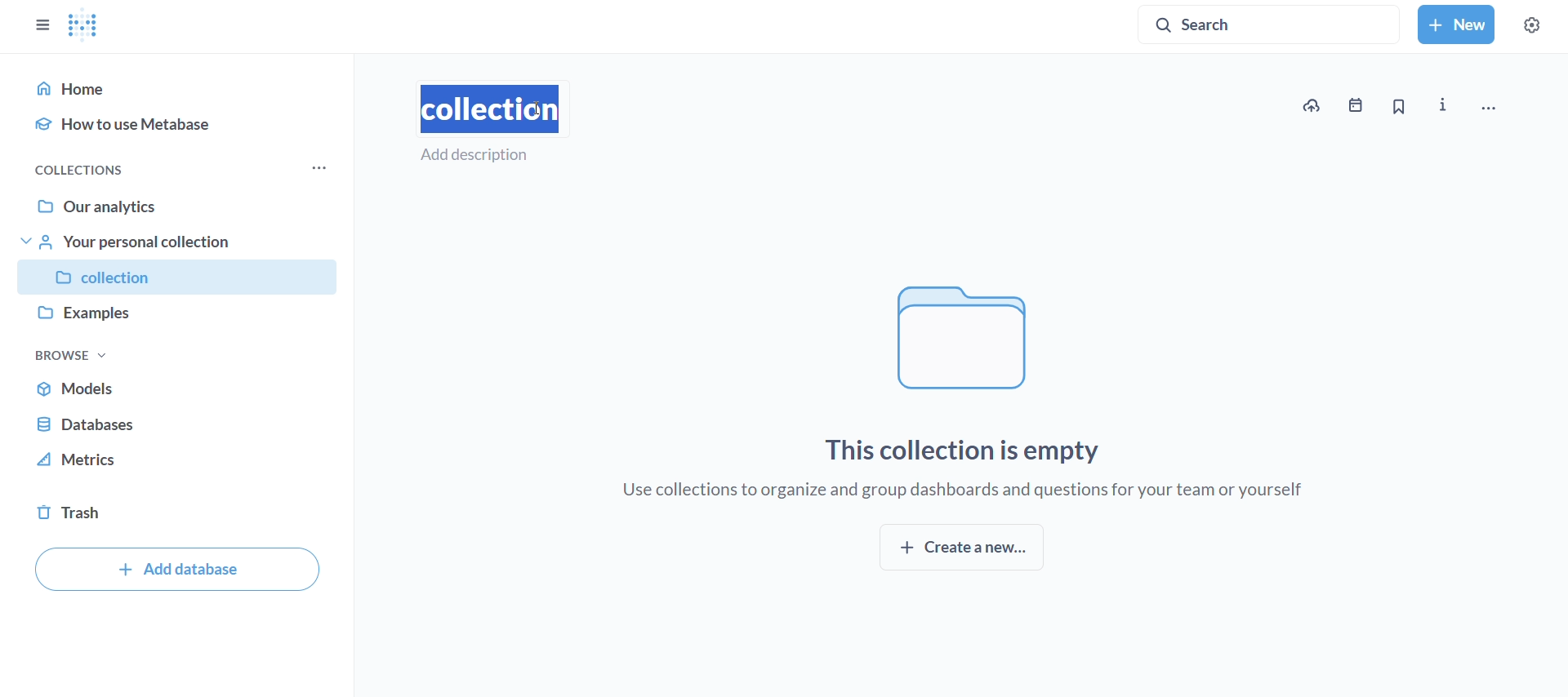 This screenshot has width=1568, height=697. What do you see at coordinates (1540, 21) in the screenshot?
I see `settings` at bounding box center [1540, 21].